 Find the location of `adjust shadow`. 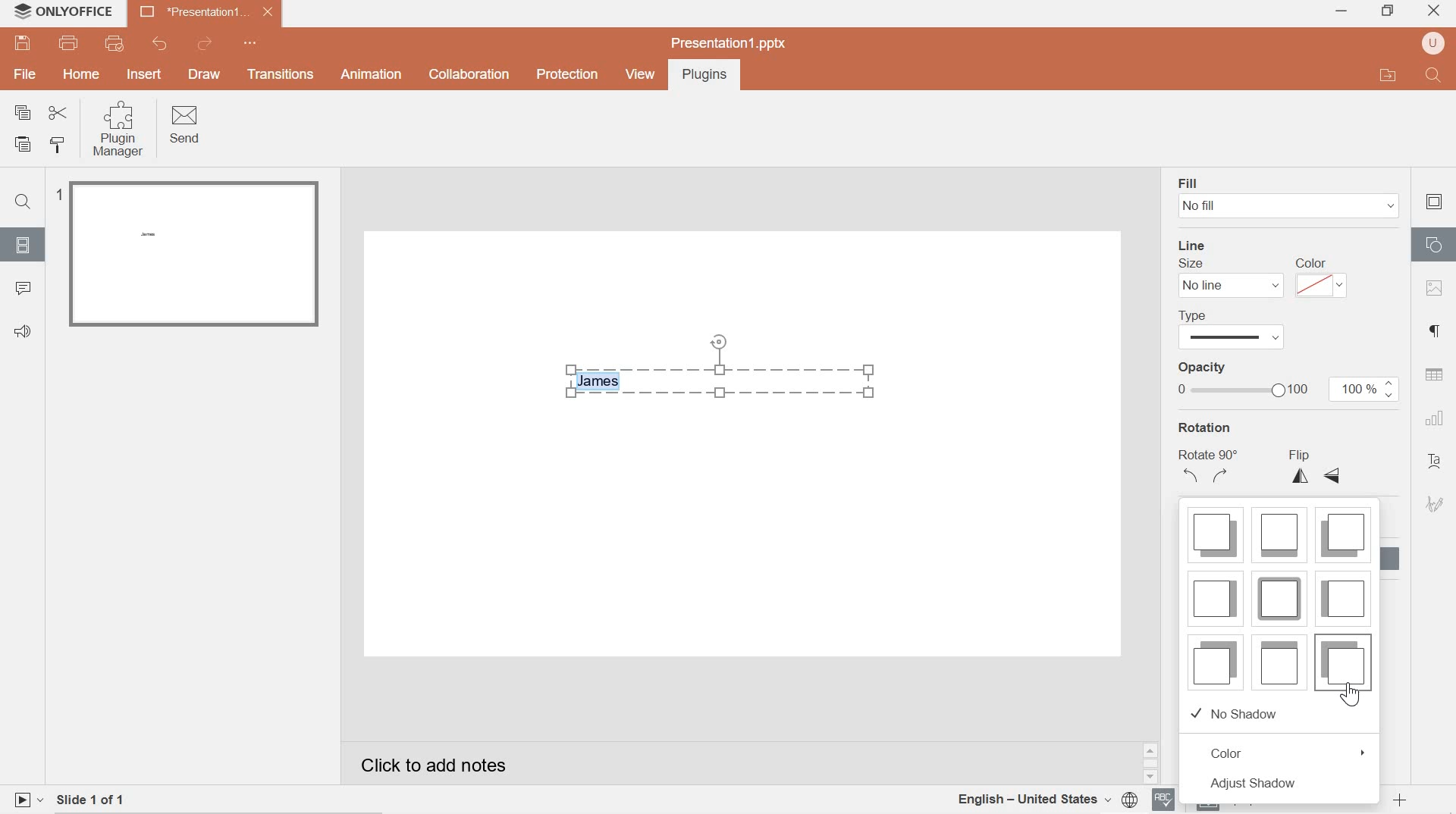

adjust shadow is located at coordinates (1283, 784).